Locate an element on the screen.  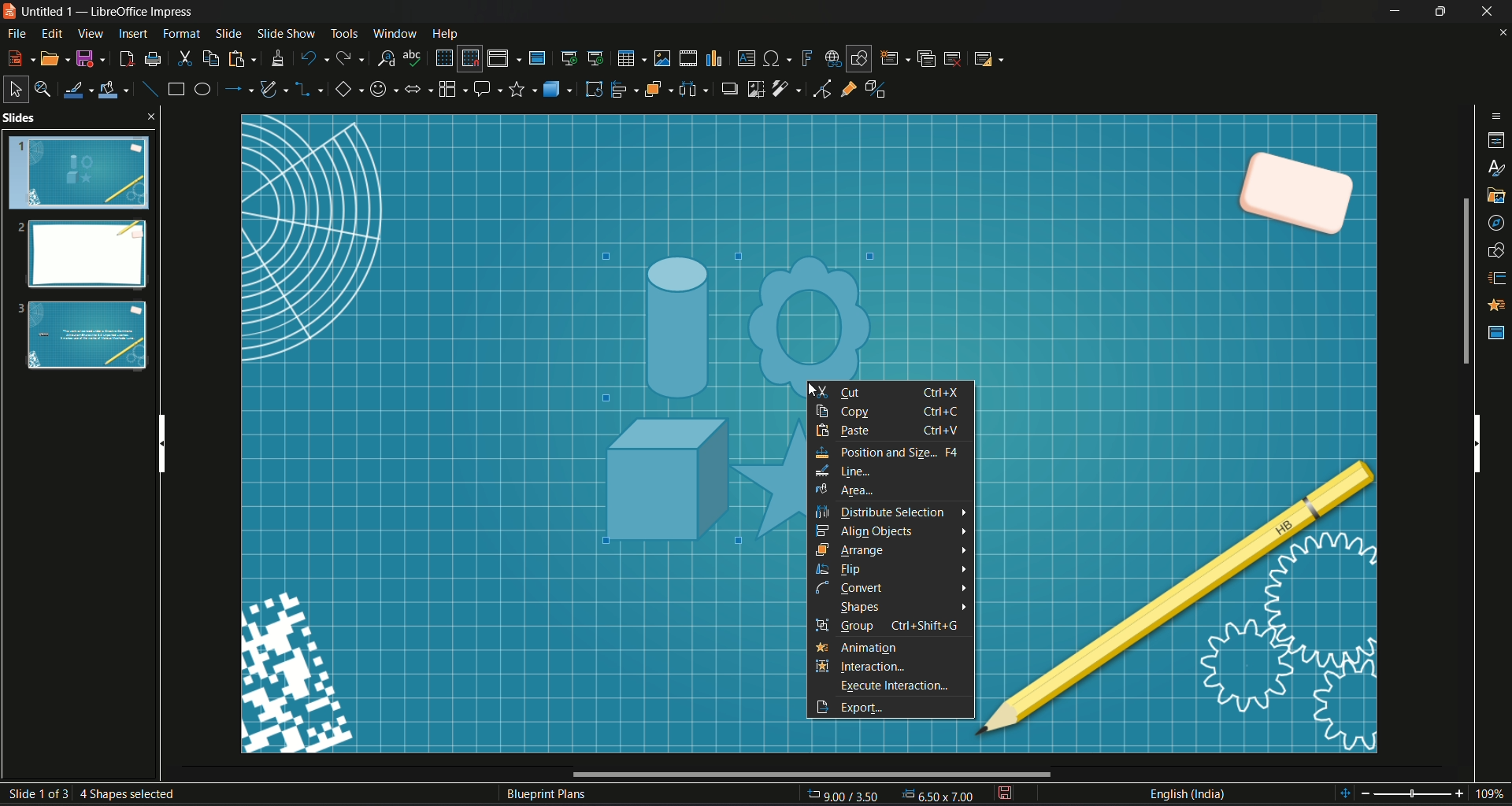
Minimize is located at coordinates (1395, 11).